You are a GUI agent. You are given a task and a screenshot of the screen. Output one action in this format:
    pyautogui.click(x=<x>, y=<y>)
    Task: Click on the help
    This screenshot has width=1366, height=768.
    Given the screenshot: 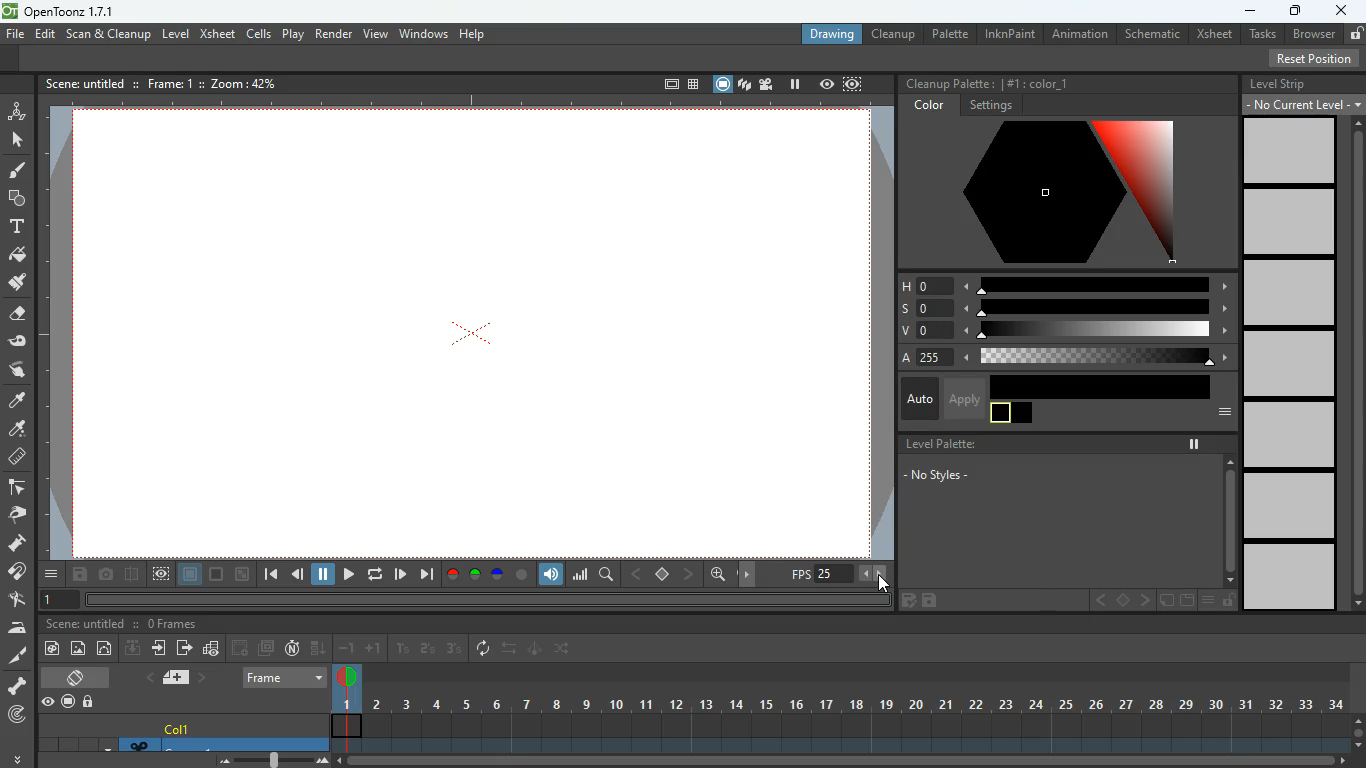 What is the action you would take?
    pyautogui.click(x=476, y=35)
    